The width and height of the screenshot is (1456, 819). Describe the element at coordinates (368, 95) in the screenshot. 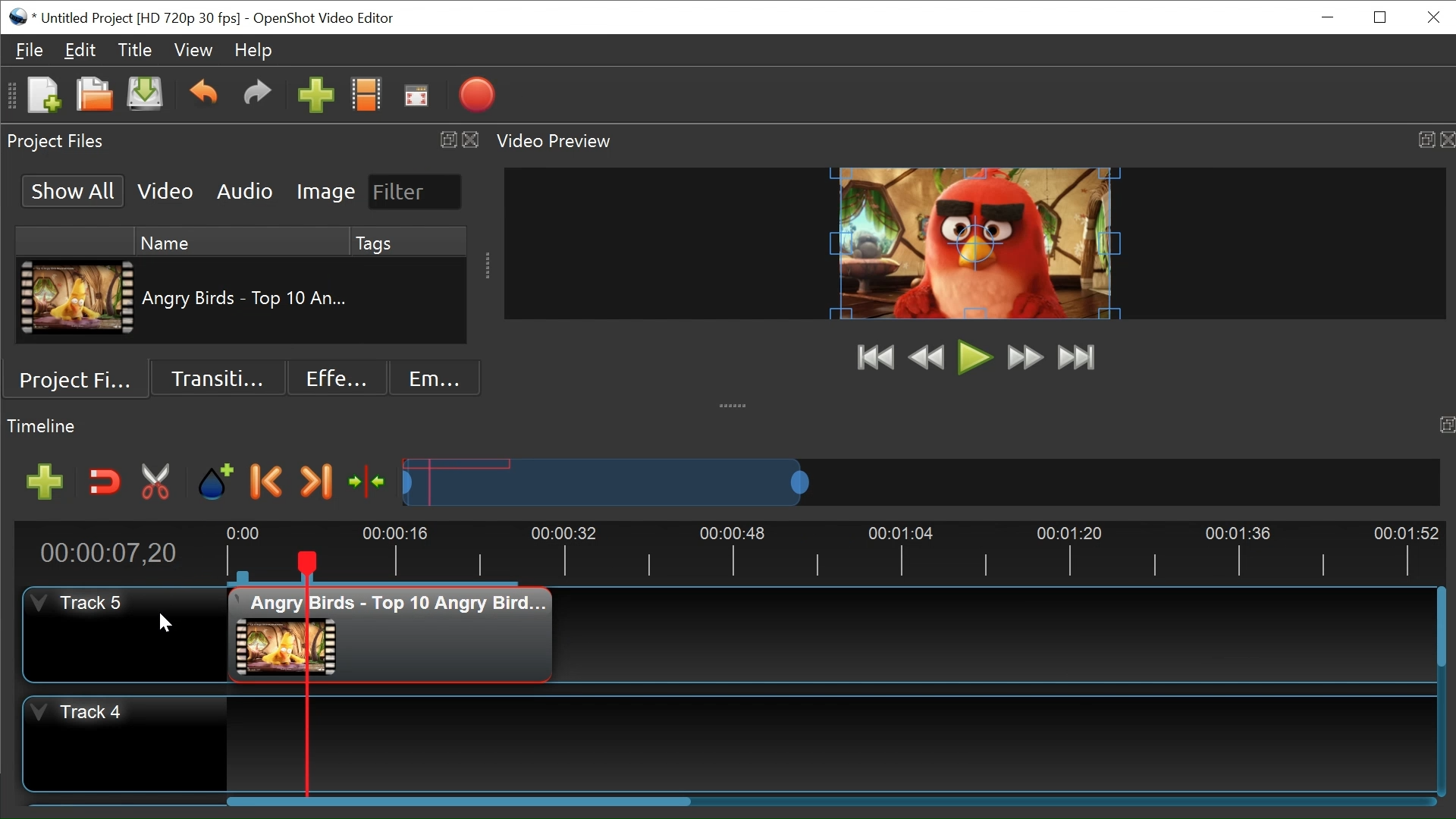

I see `Chooses Profile` at that location.